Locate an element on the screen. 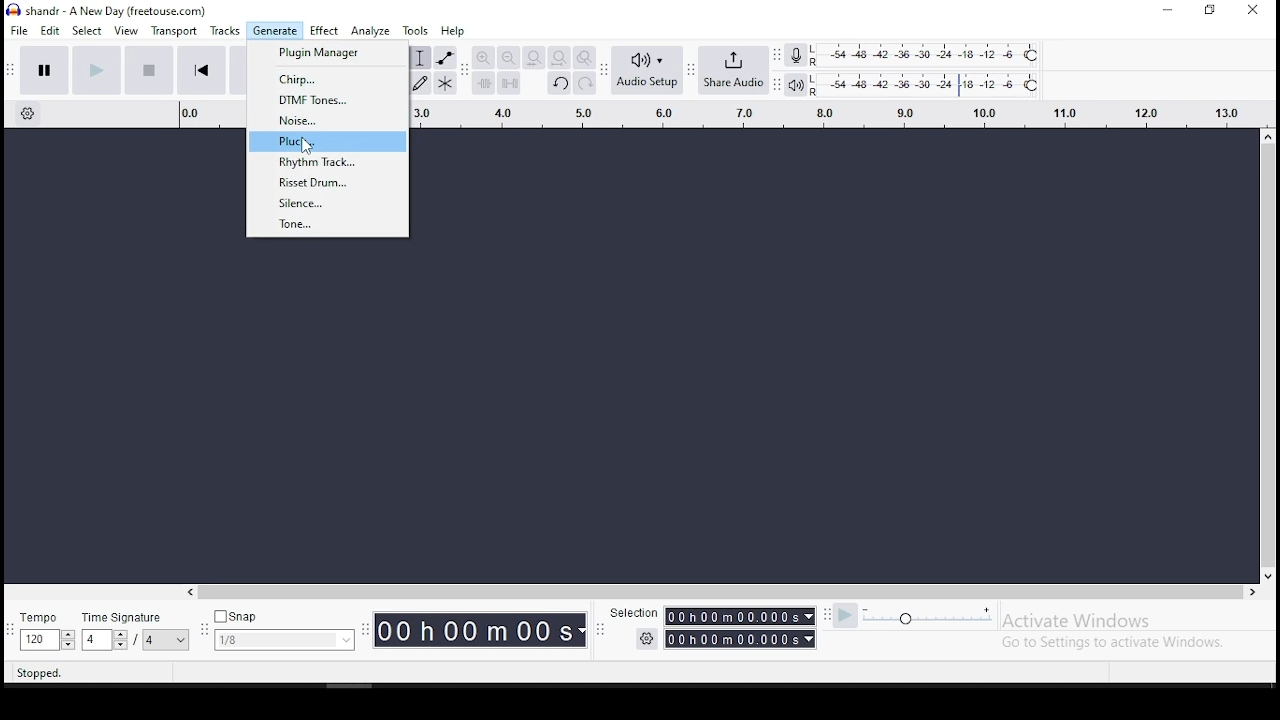  restore is located at coordinates (1208, 10).